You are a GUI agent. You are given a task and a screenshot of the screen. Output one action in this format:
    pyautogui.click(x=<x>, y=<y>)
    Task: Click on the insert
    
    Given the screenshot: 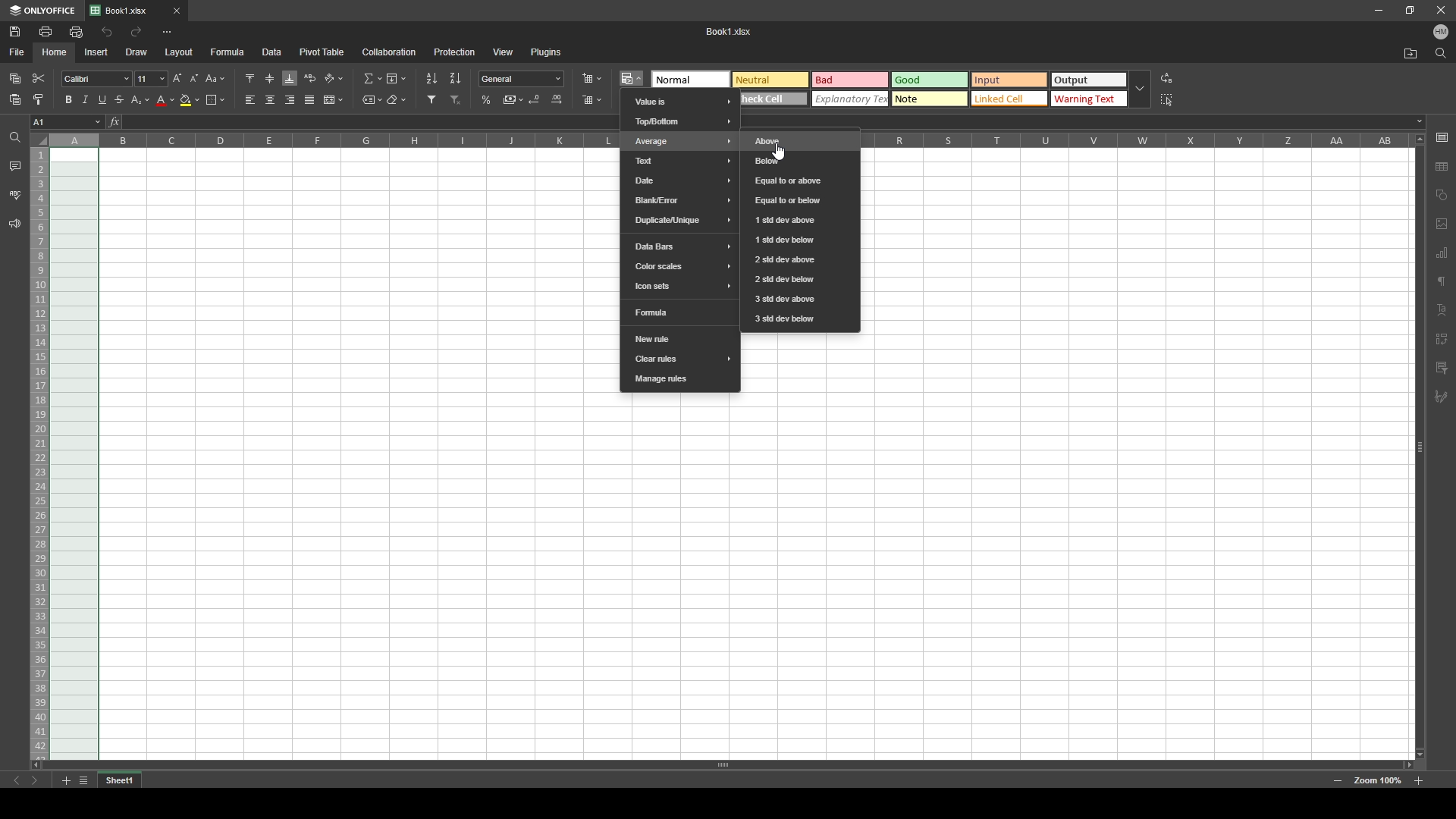 What is the action you would take?
    pyautogui.click(x=93, y=52)
    